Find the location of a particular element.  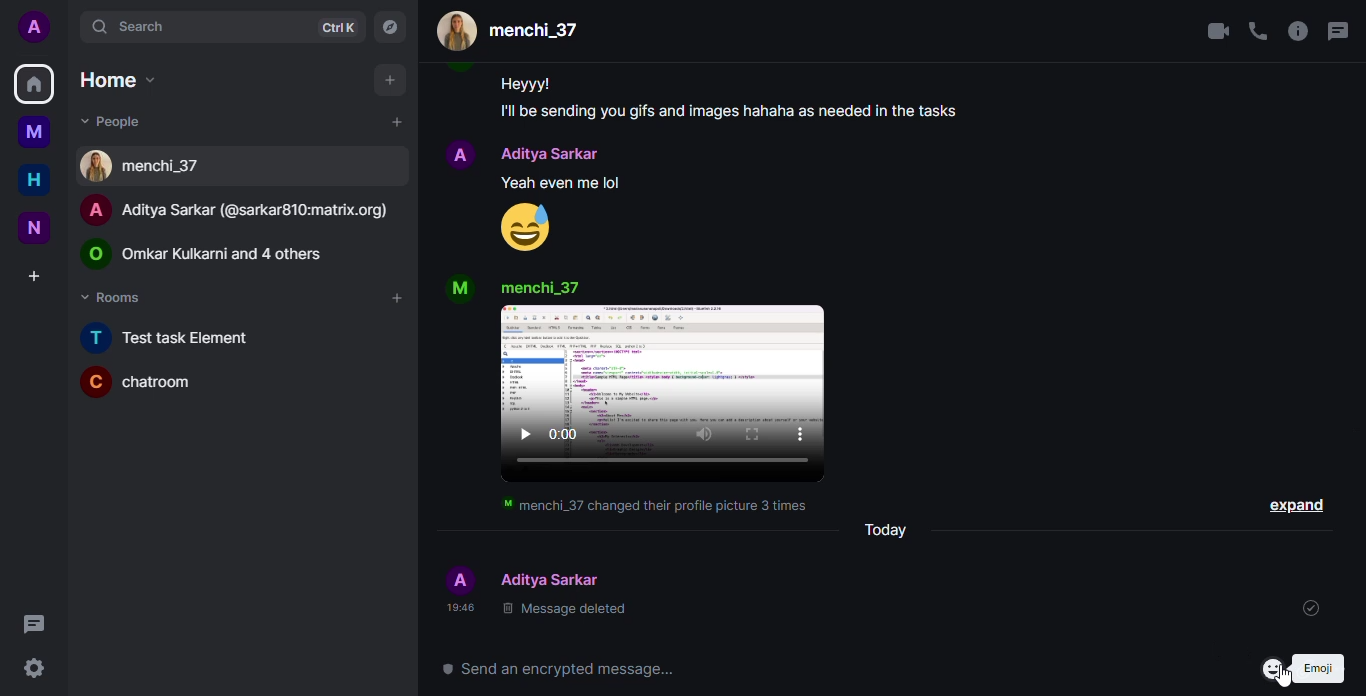

search is located at coordinates (121, 26).